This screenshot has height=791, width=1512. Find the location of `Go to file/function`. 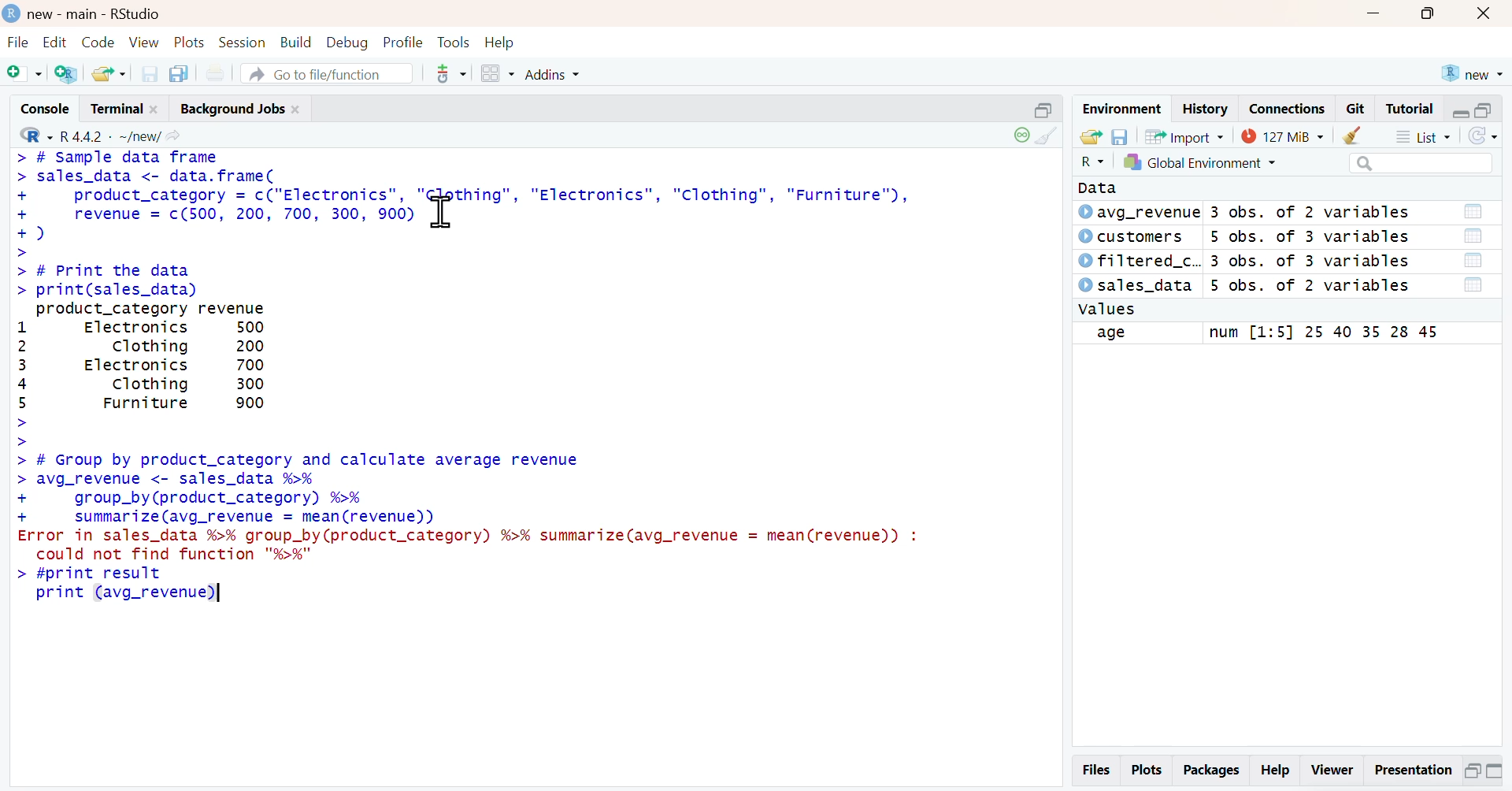

Go to file/function is located at coordinates (328, 73).